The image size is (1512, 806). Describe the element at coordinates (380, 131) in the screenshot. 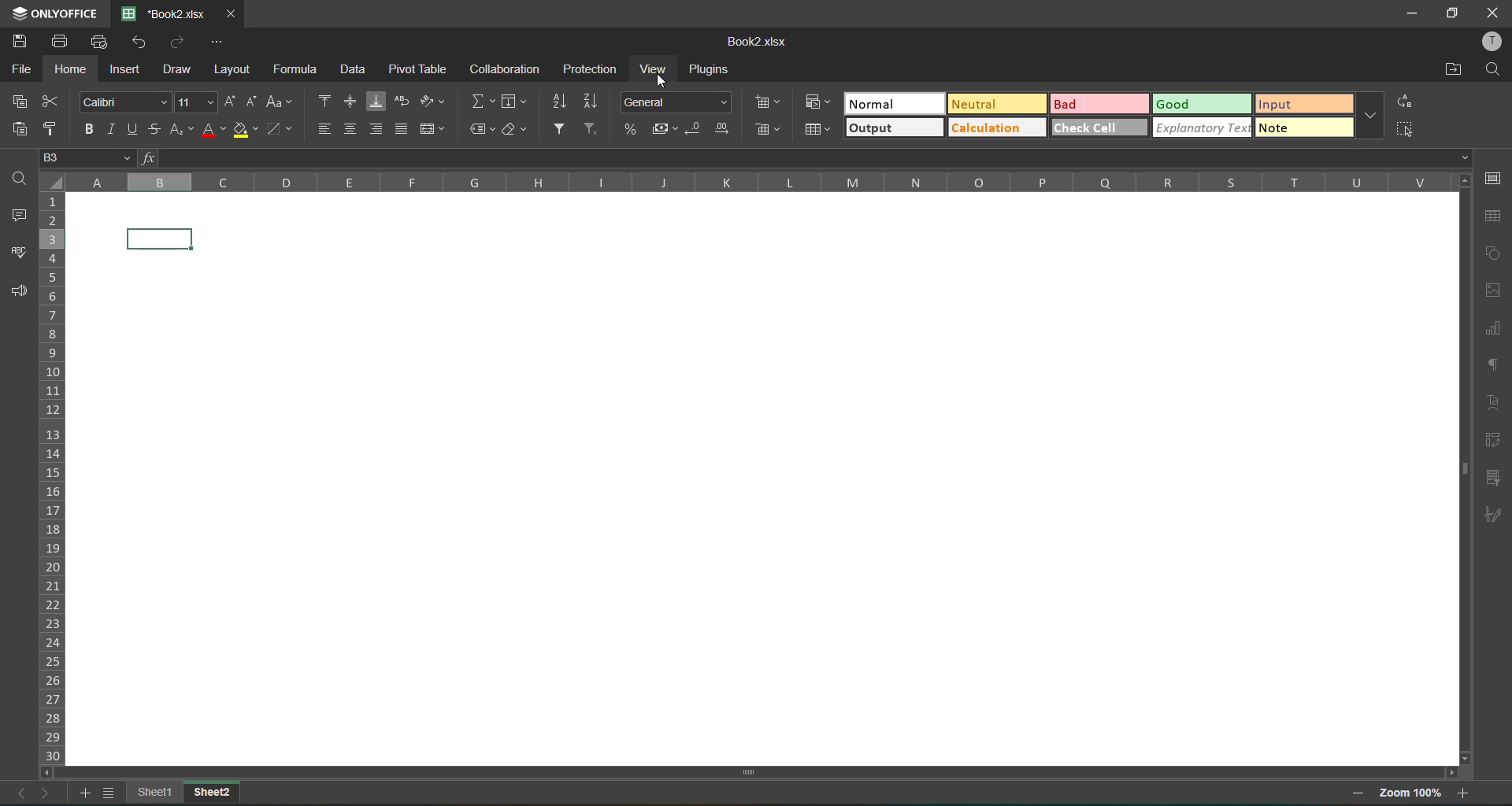

I see `align right` at that location.